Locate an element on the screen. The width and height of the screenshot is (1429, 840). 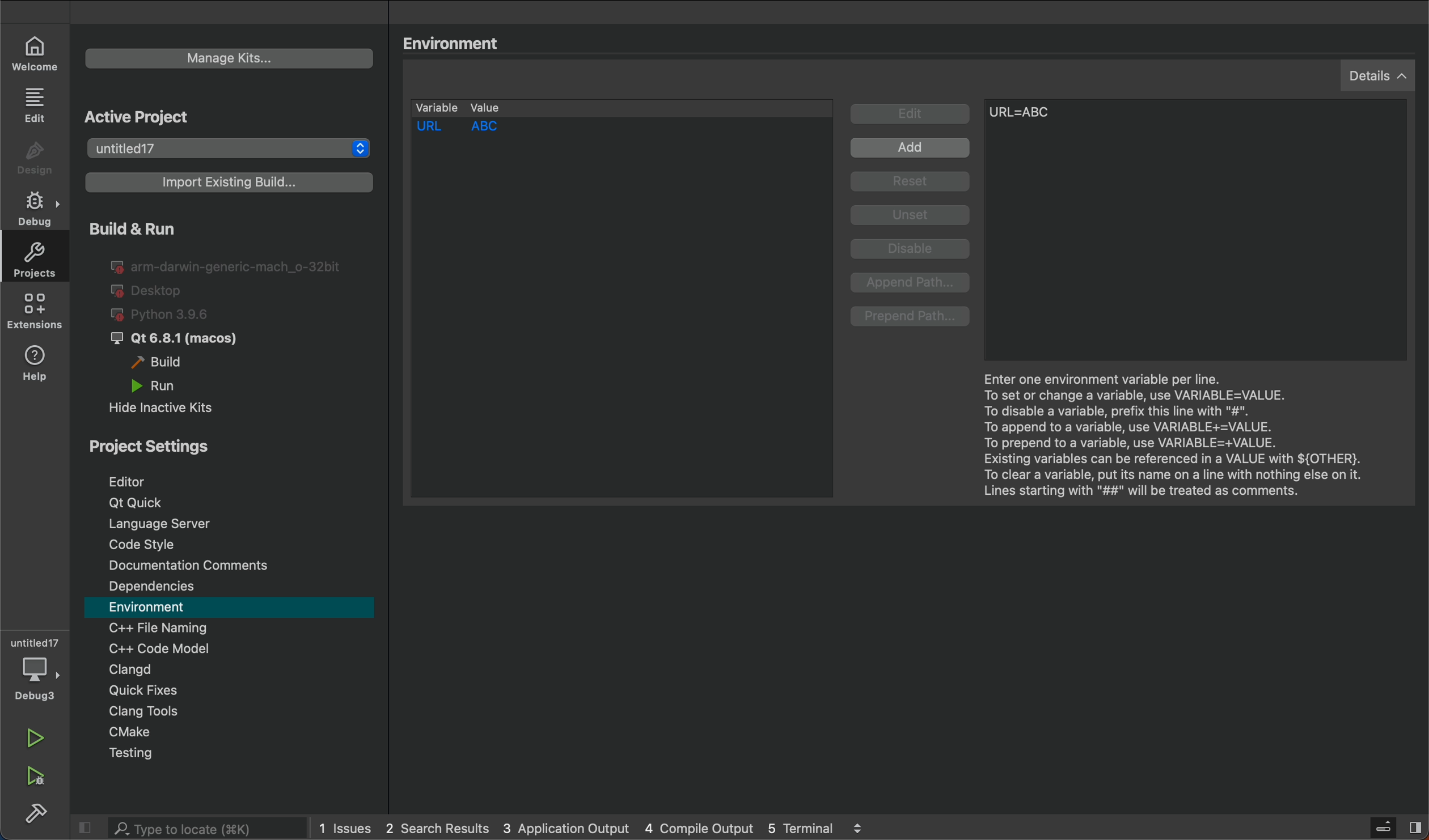
design is located at coordinates (38, 159).